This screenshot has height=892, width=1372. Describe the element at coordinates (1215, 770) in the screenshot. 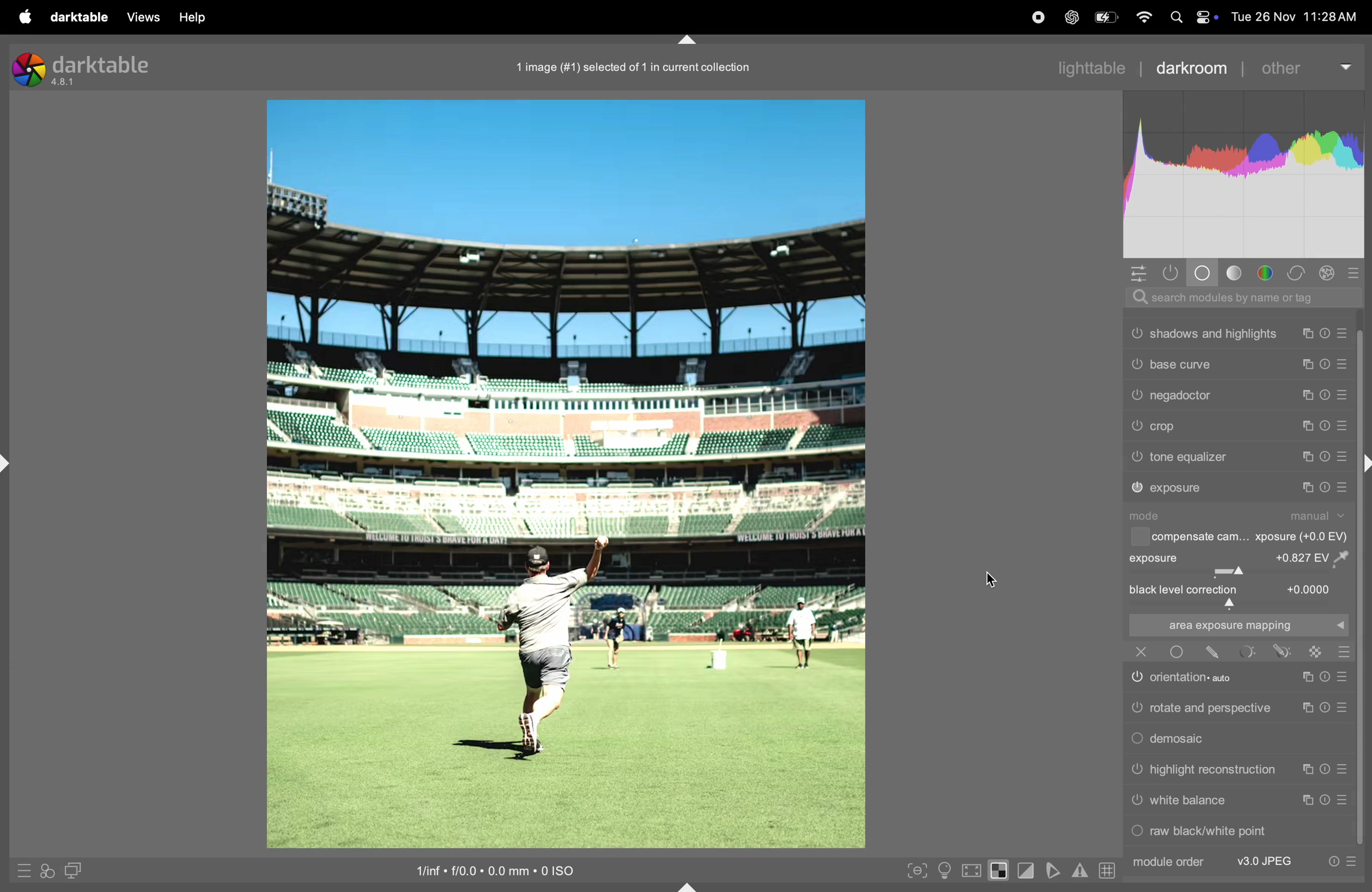

I see `highlight reconstruction` at that location.